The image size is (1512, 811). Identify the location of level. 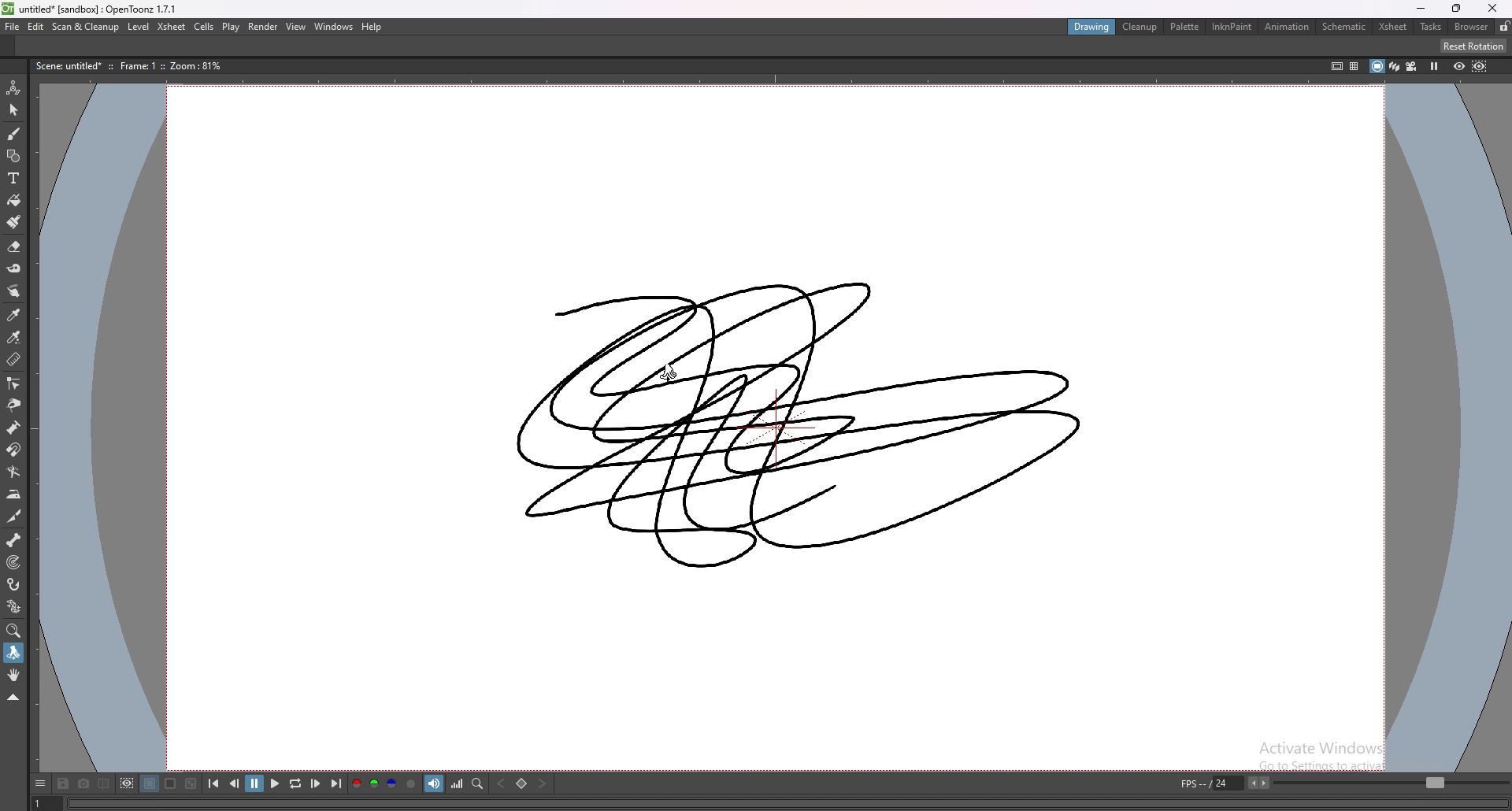
(139, 26).